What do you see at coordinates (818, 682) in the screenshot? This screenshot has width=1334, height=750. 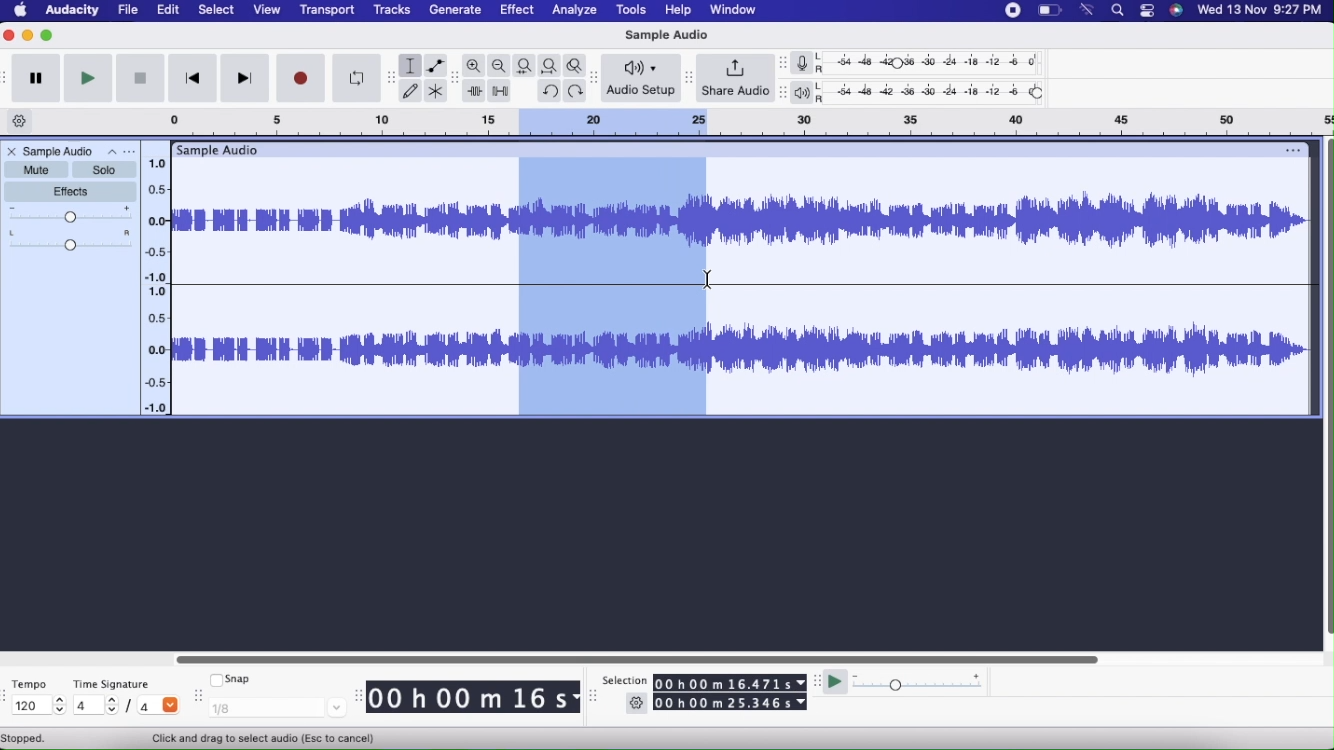 I see `move toolbar` at bounding box center [818, 682].